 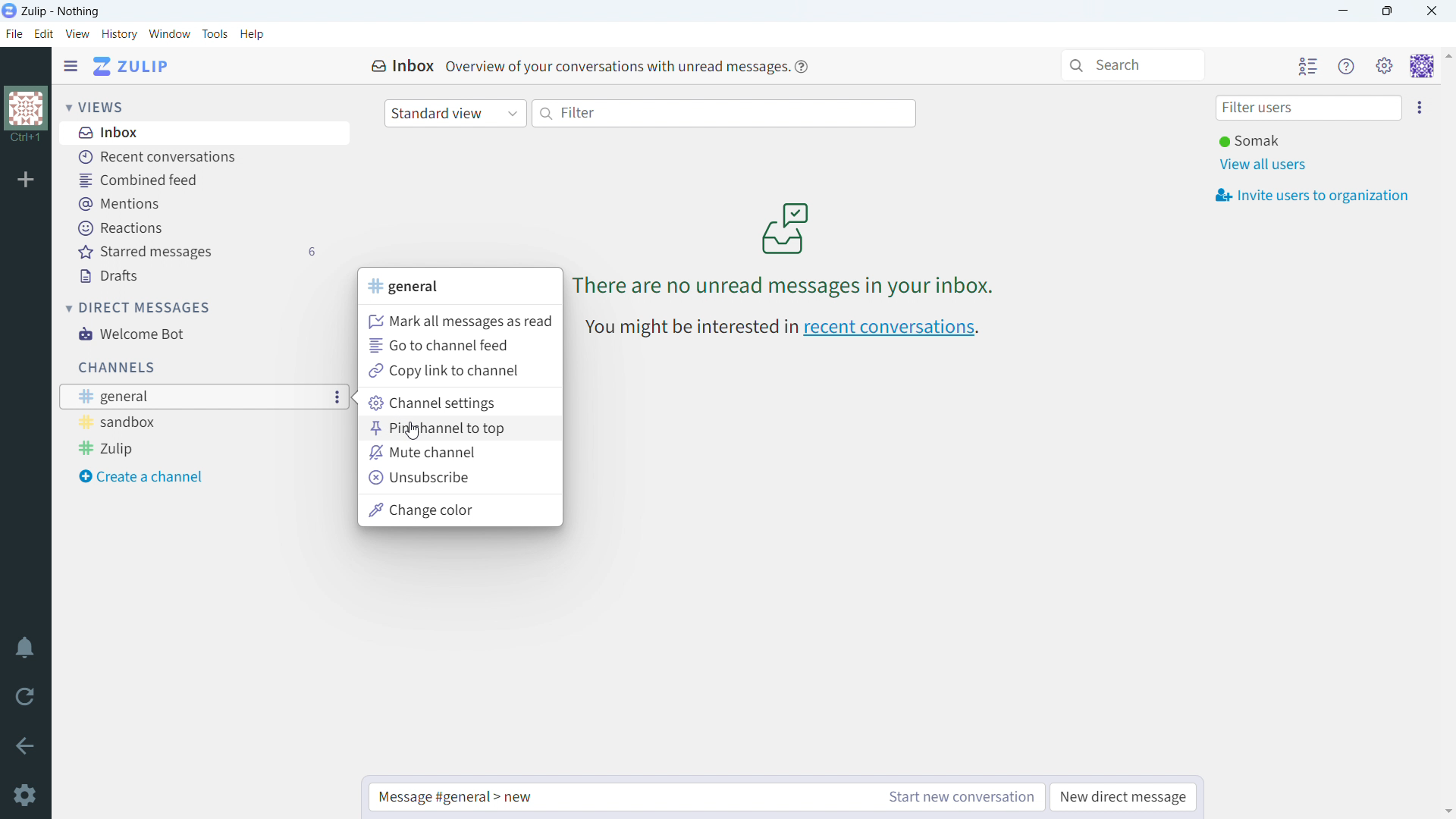 I want to click on go to channel feed, so click(x=460, y=344).